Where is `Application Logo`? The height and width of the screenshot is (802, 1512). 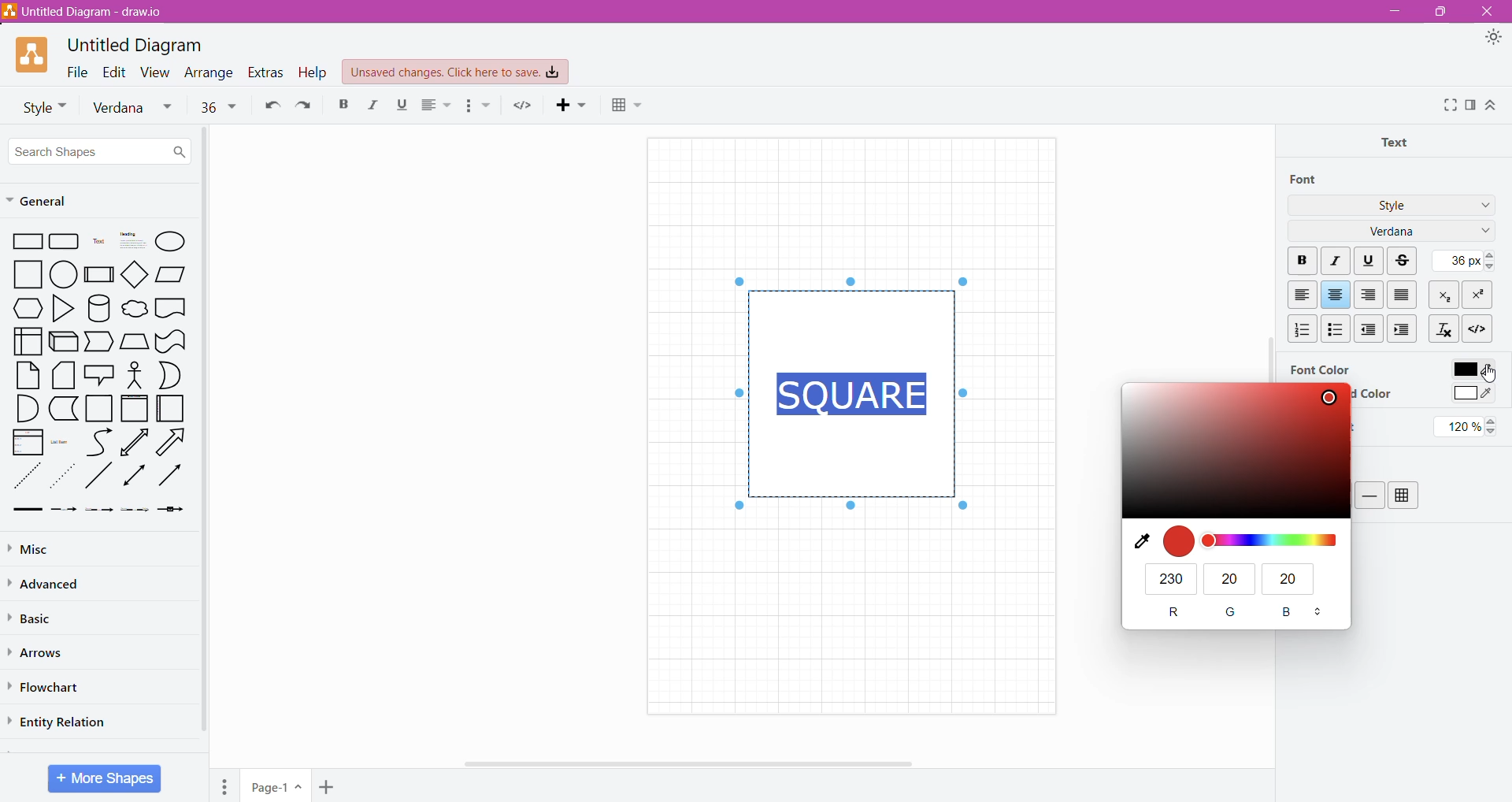
Application Logo is located at coordinates (33, 55).